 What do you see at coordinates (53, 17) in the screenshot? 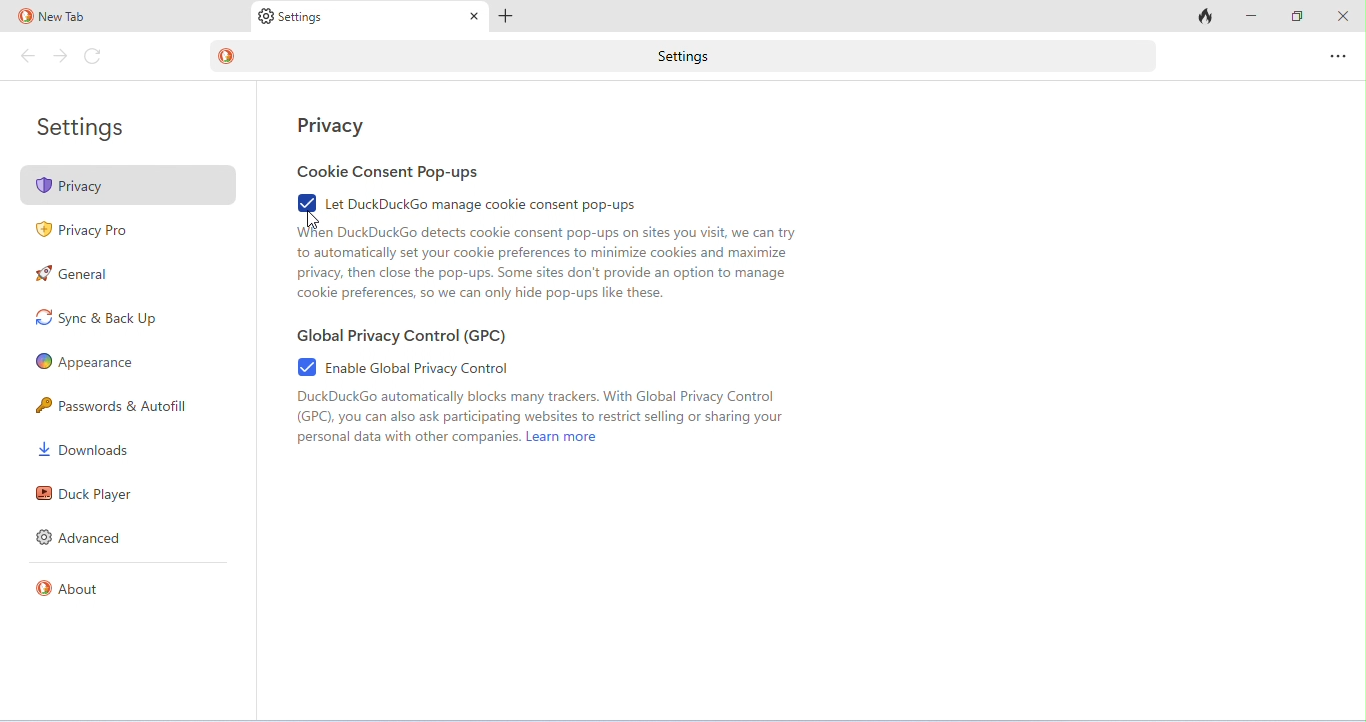
I see `new tab` at bounding box center [53, 17].